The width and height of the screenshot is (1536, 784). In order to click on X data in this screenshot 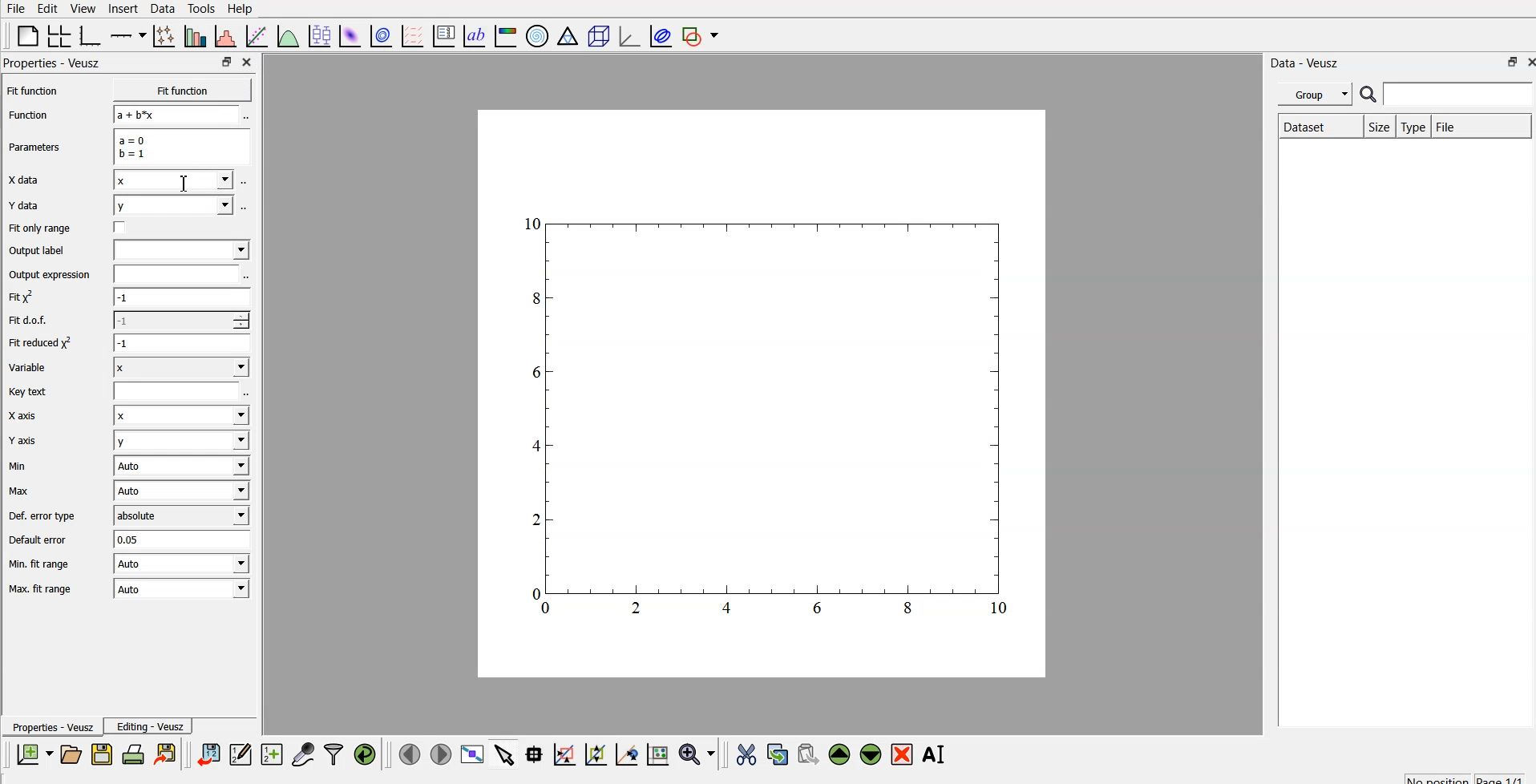, I will do `click(46, 180)`.